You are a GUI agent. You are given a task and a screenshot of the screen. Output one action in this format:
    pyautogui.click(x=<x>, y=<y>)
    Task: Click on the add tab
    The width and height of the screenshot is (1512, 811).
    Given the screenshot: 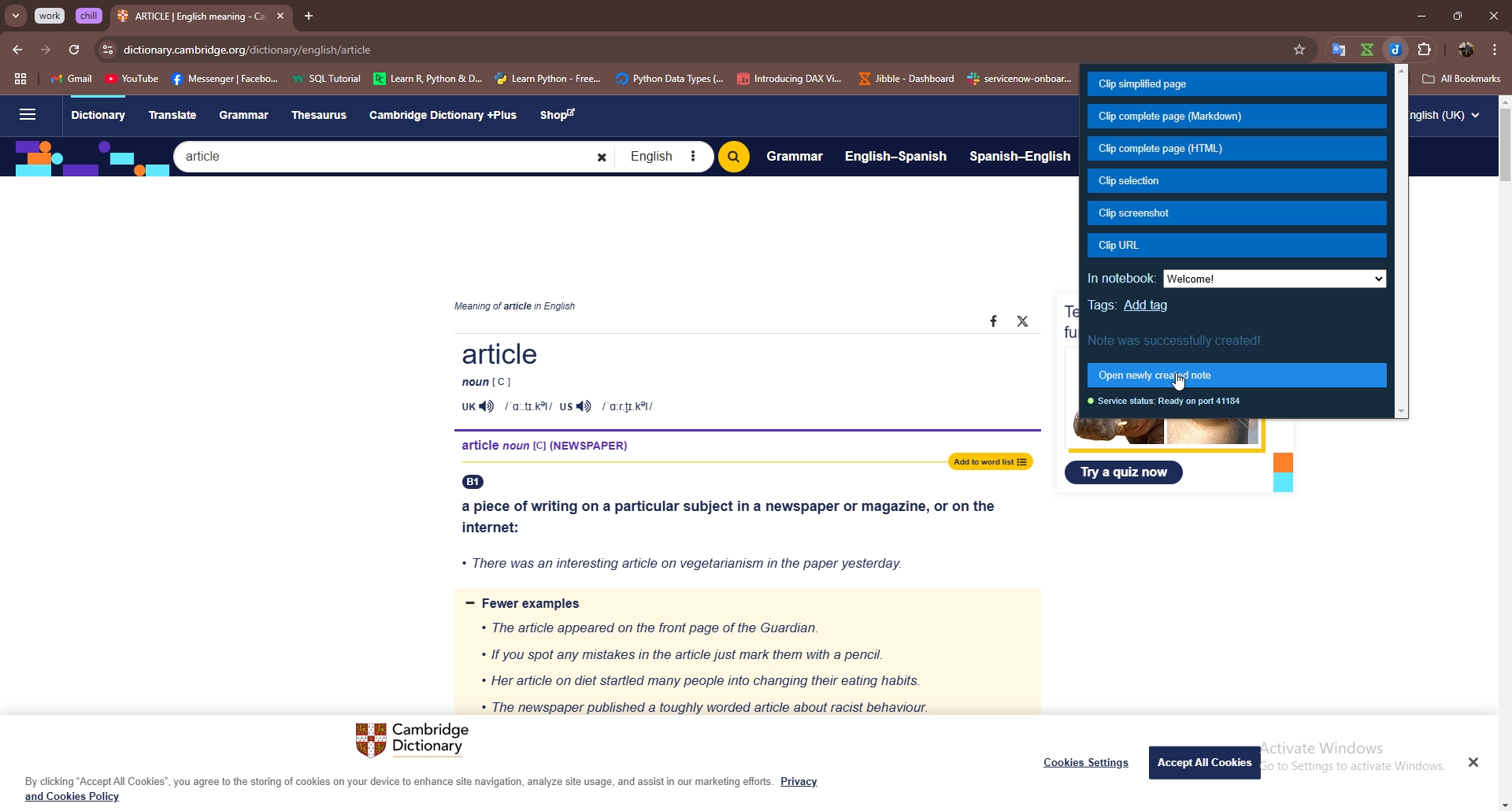 What is the action you would take?
    pyautogui.click(x=308, y=16)
    